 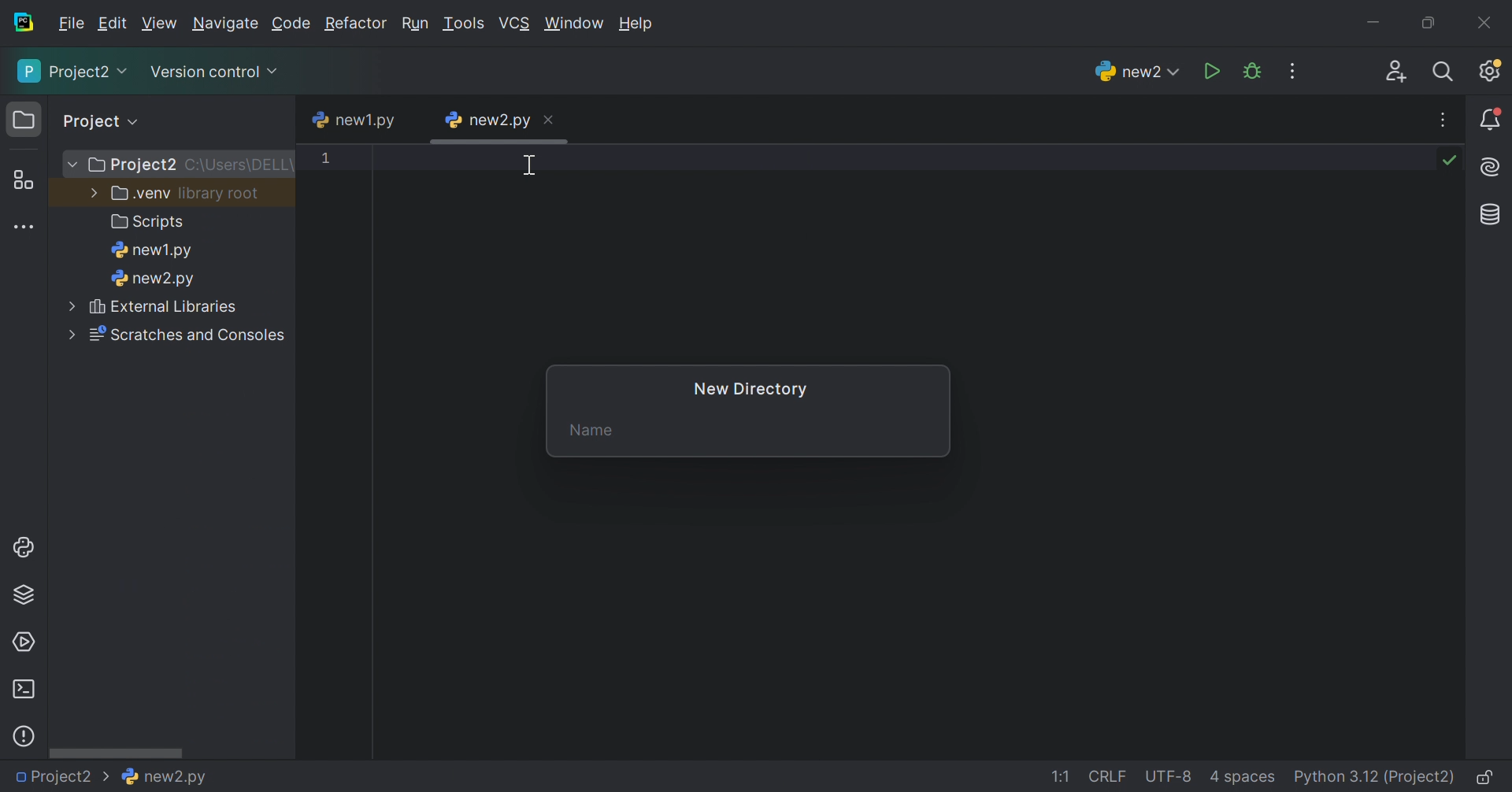 What do you see at coordinates (218, 196) in the screenshot?
I see `library.root` at bounding box center [218, 196].